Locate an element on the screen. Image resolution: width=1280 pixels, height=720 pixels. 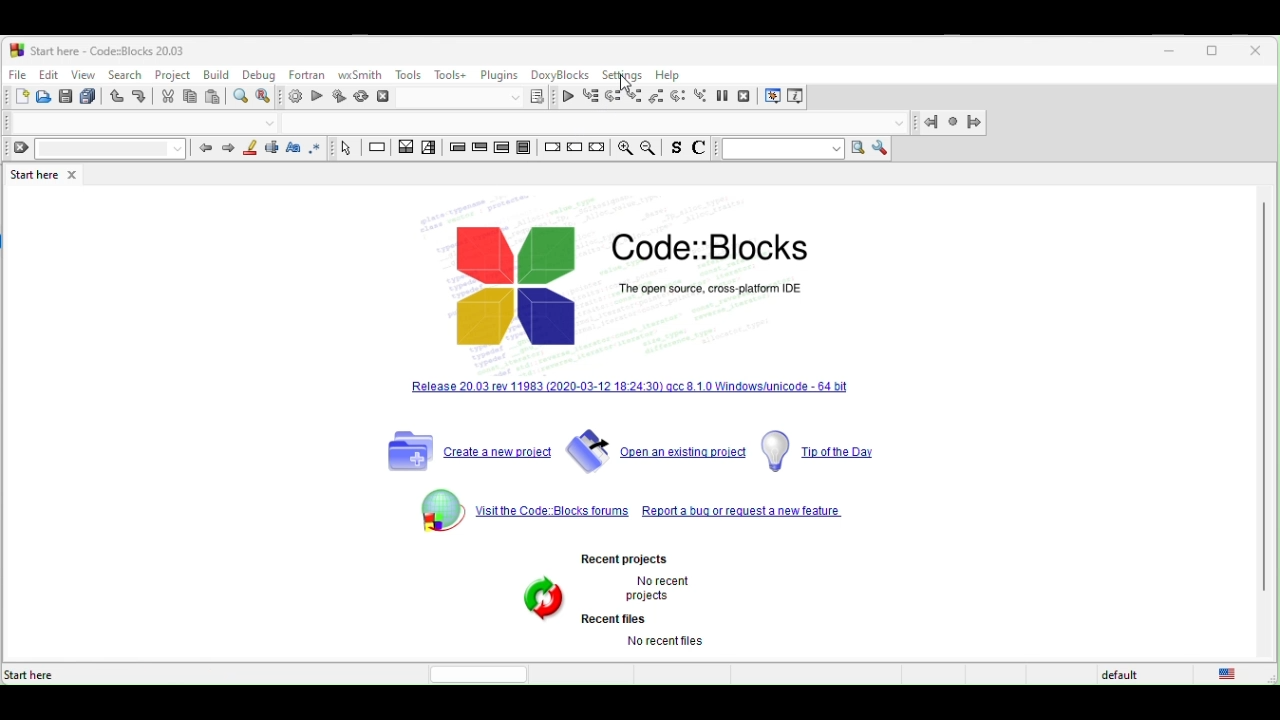
create a new project is located at coordinates (471, 452).